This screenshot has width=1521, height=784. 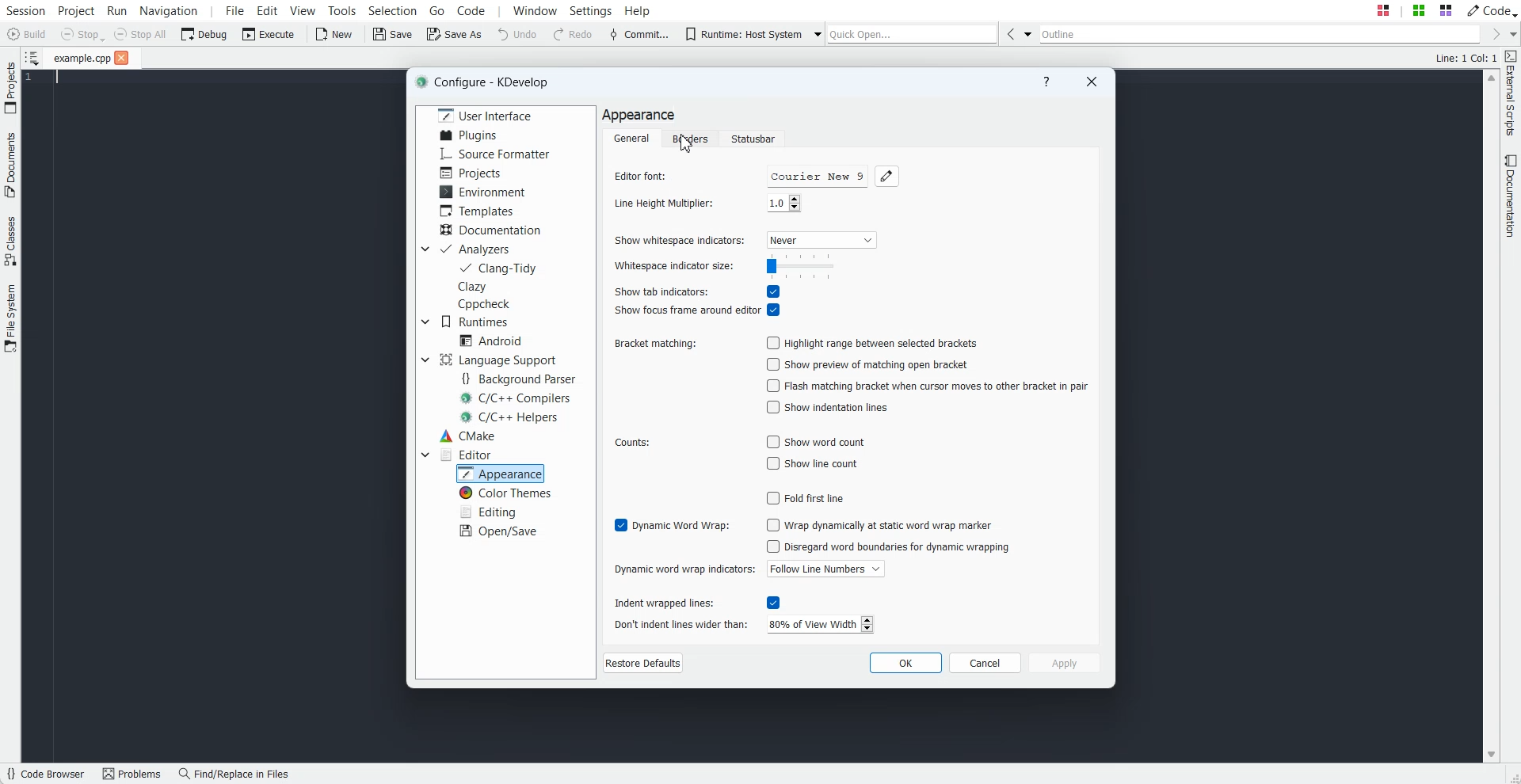 What do you see at coordinates (986, 662) in the screenshot?
I see `Cancel` at bounding box center [986, 662].